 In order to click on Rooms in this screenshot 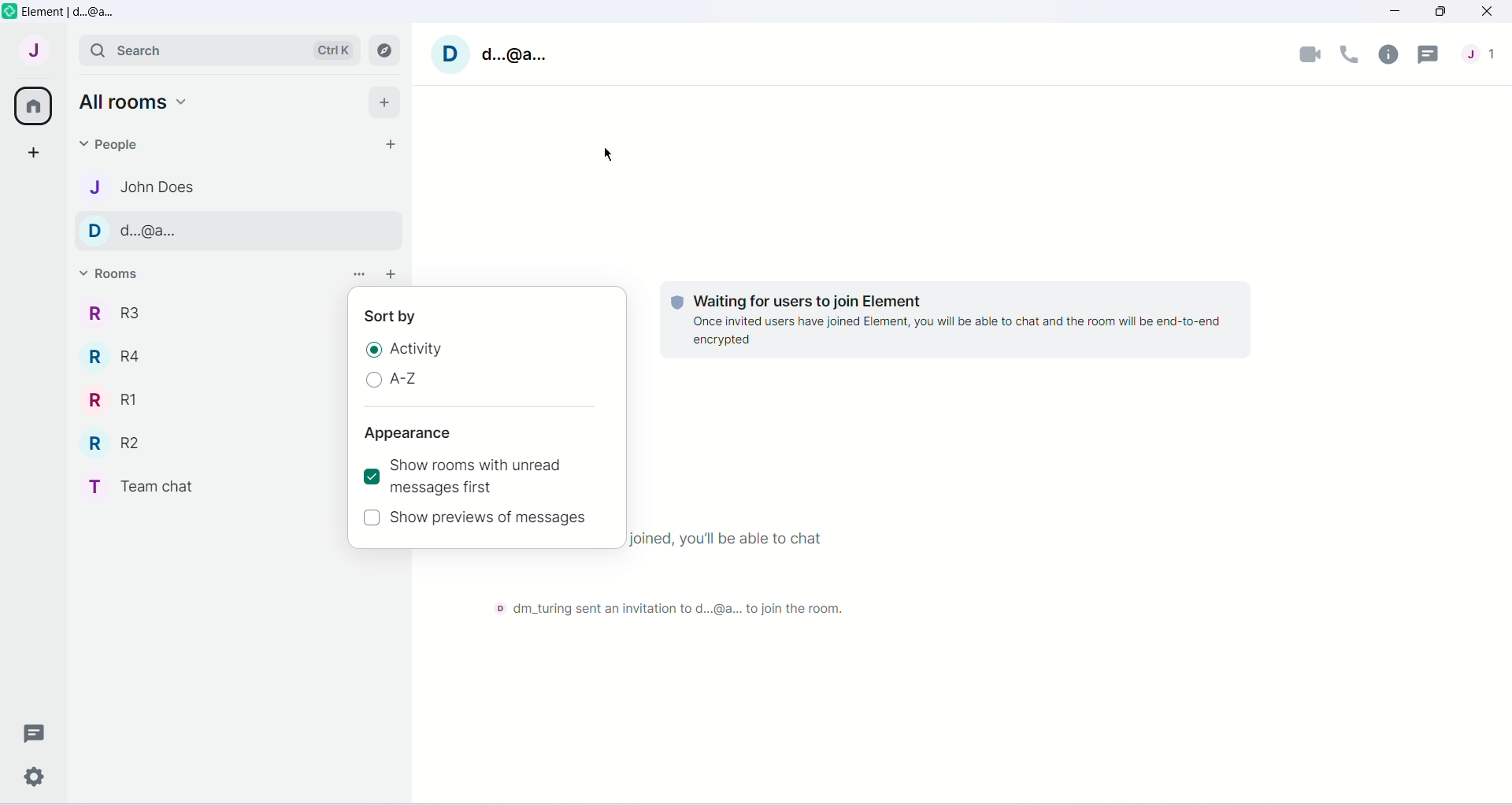, I will do `click(117, 276)`.